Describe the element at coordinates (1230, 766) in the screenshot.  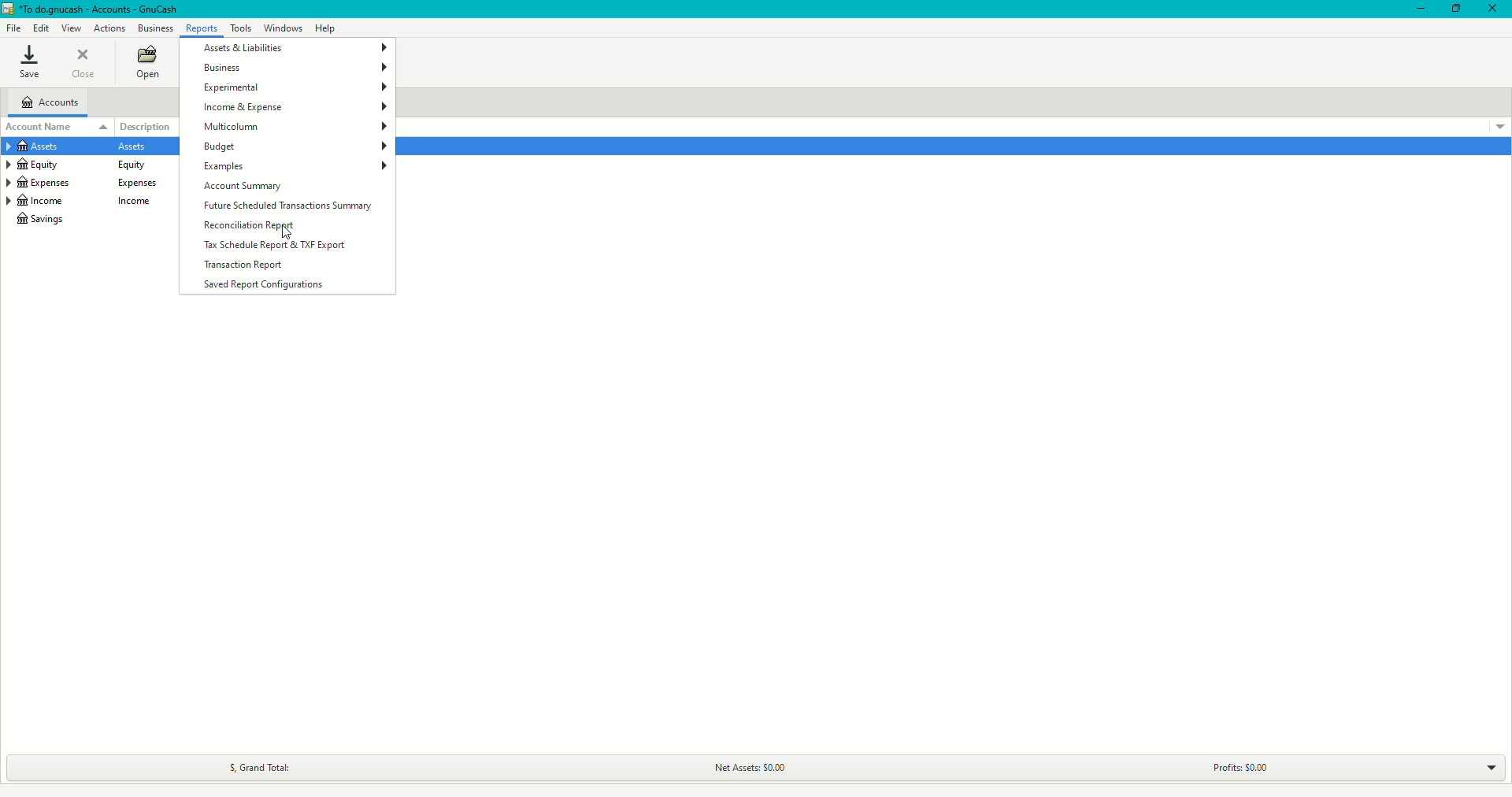
I see `Profits` at that location.